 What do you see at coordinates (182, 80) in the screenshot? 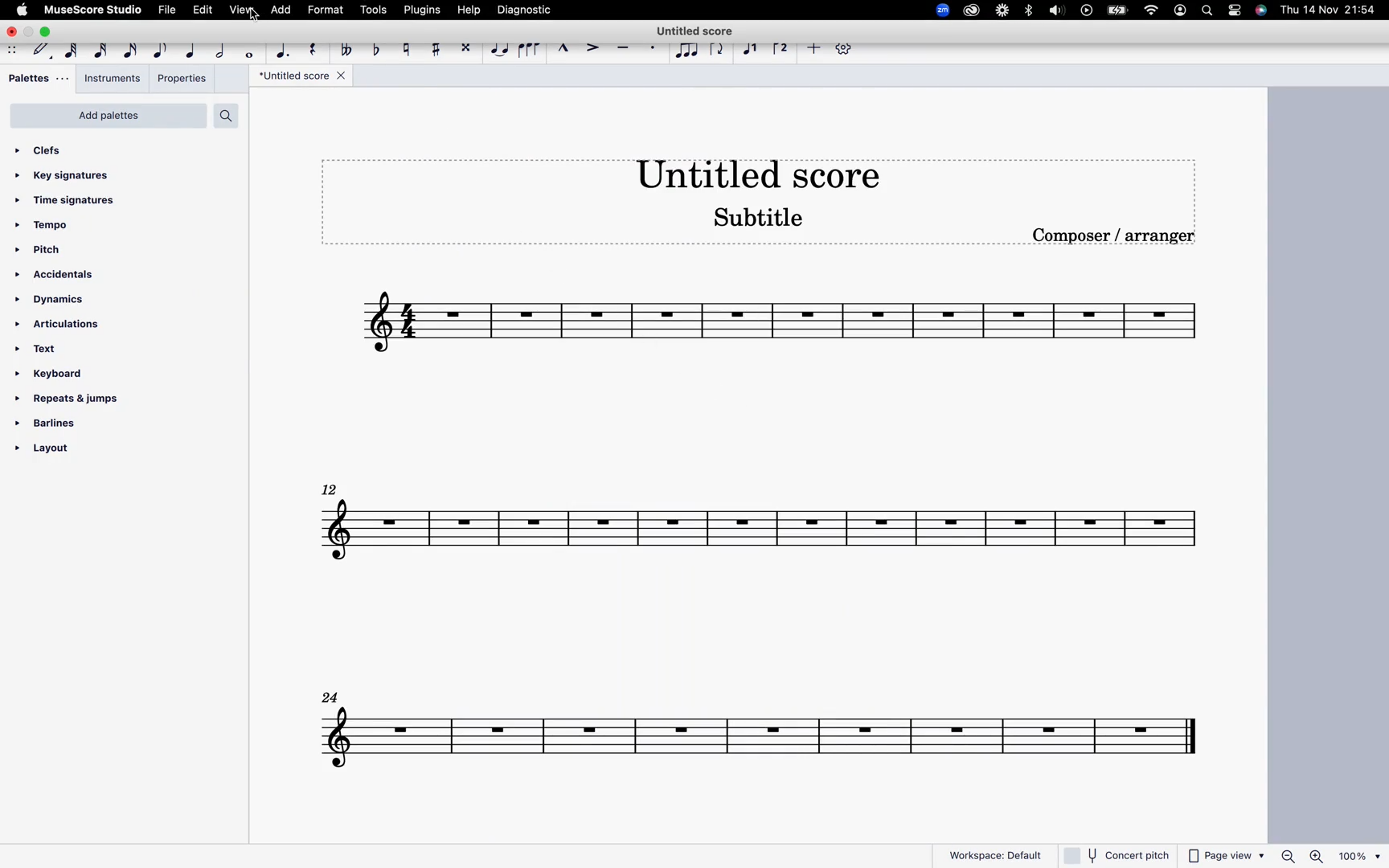
I see `properties` at bounding box center [182, 80].